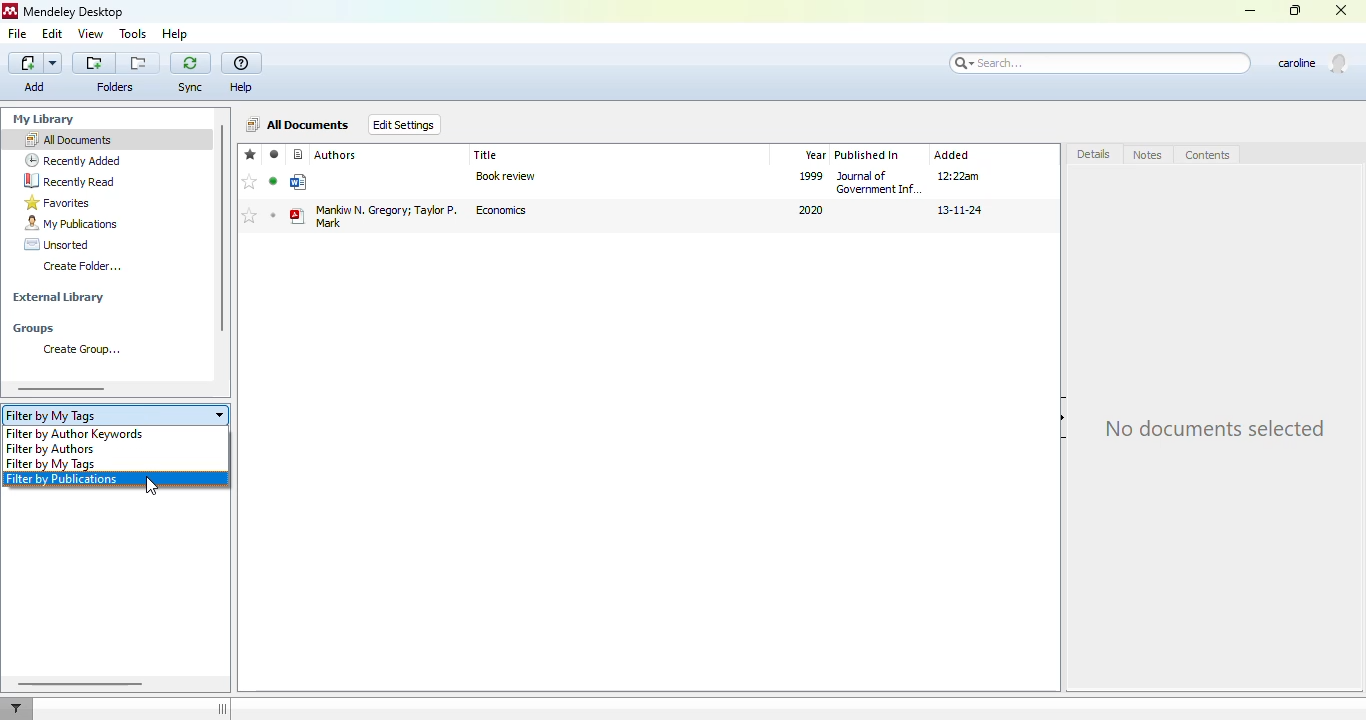 The height and width of the screenshot is (720, 1366). Describe the element at coordinates (17, 708) in the screenshot. I see `filter documents by author, tag or publication.` at that location.